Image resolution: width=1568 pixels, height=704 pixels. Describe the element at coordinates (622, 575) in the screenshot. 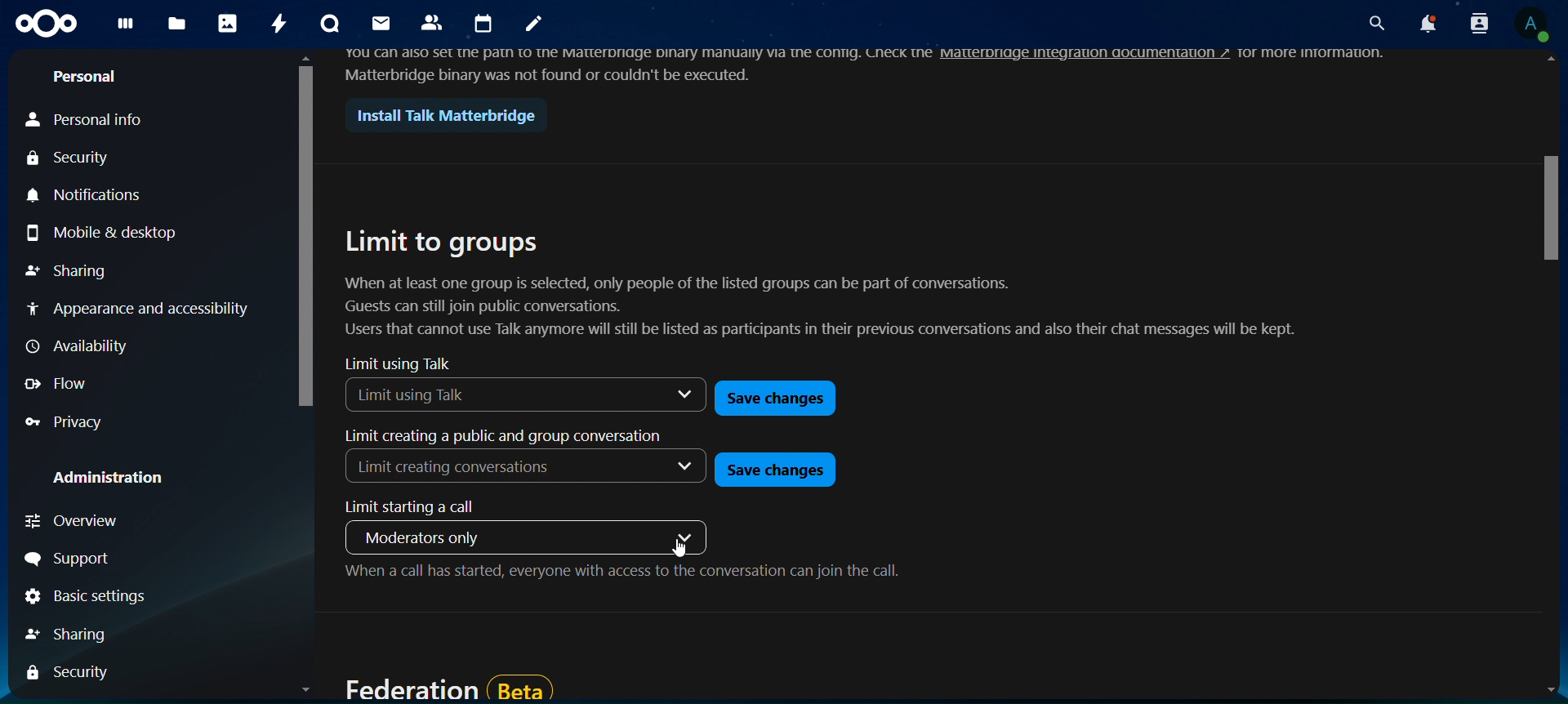

I see `When a call has started, everyone with access to the conversation can join the call.` at that location.